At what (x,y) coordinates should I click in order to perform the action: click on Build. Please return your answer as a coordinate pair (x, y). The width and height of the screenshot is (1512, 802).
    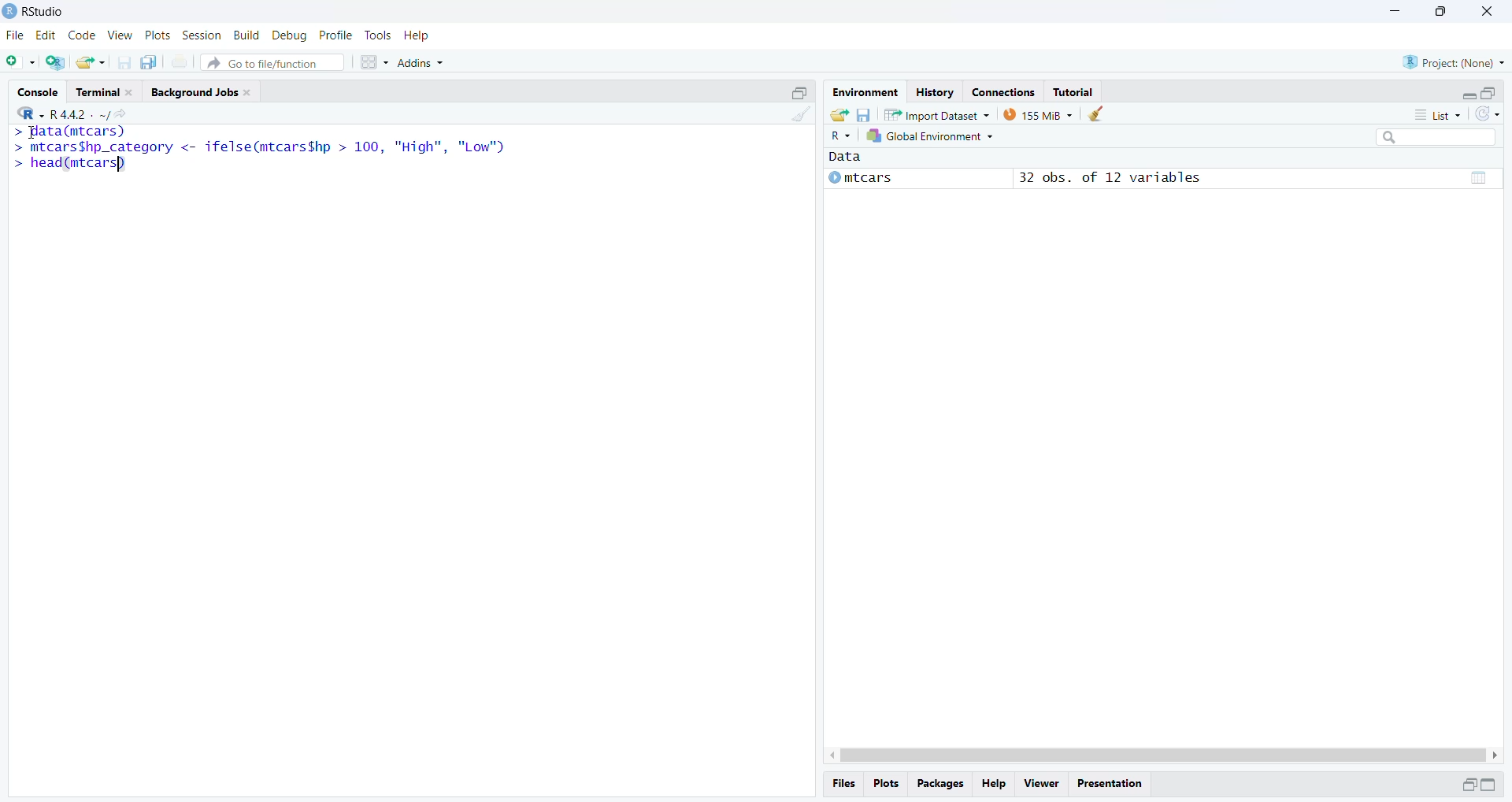
    Looking at the image, I should click on (248, 35).